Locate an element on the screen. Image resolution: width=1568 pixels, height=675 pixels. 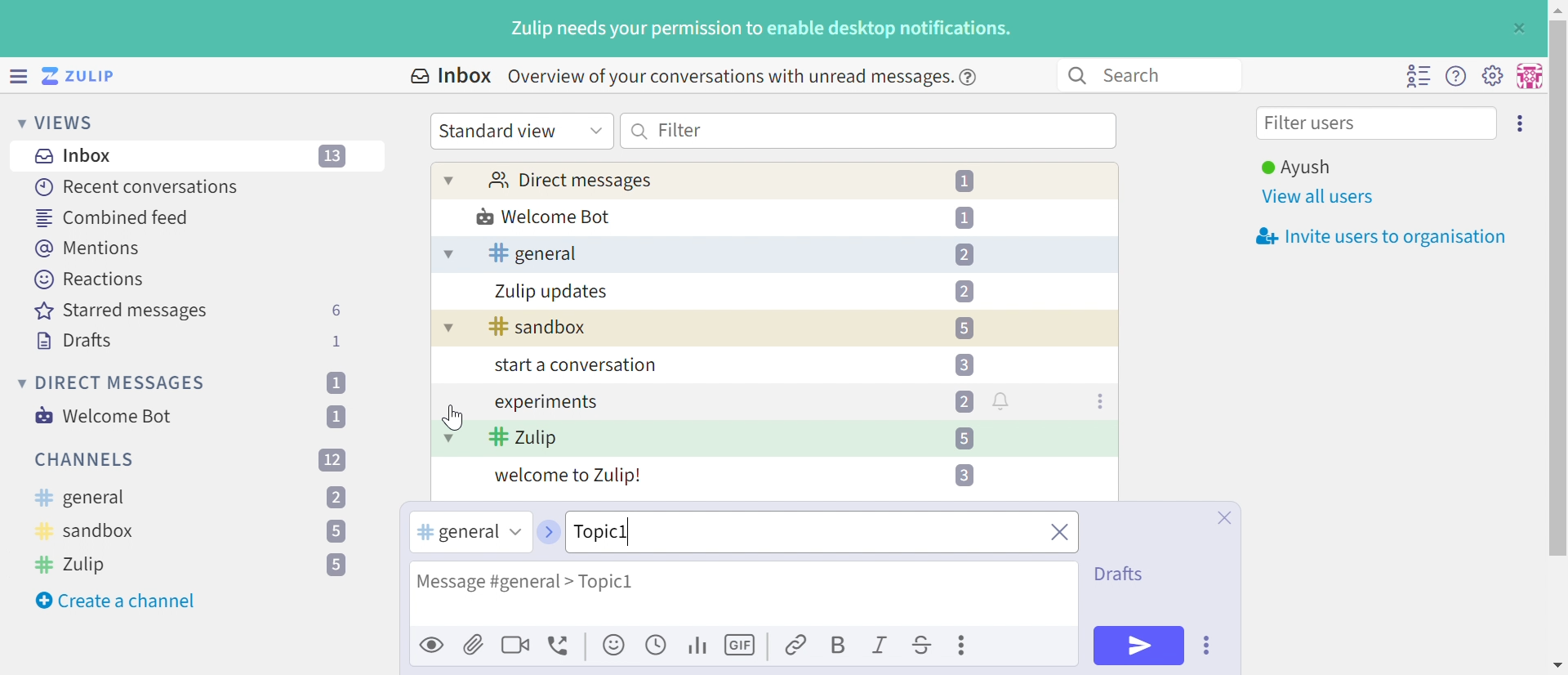
general is located at coordinates (532, 253).